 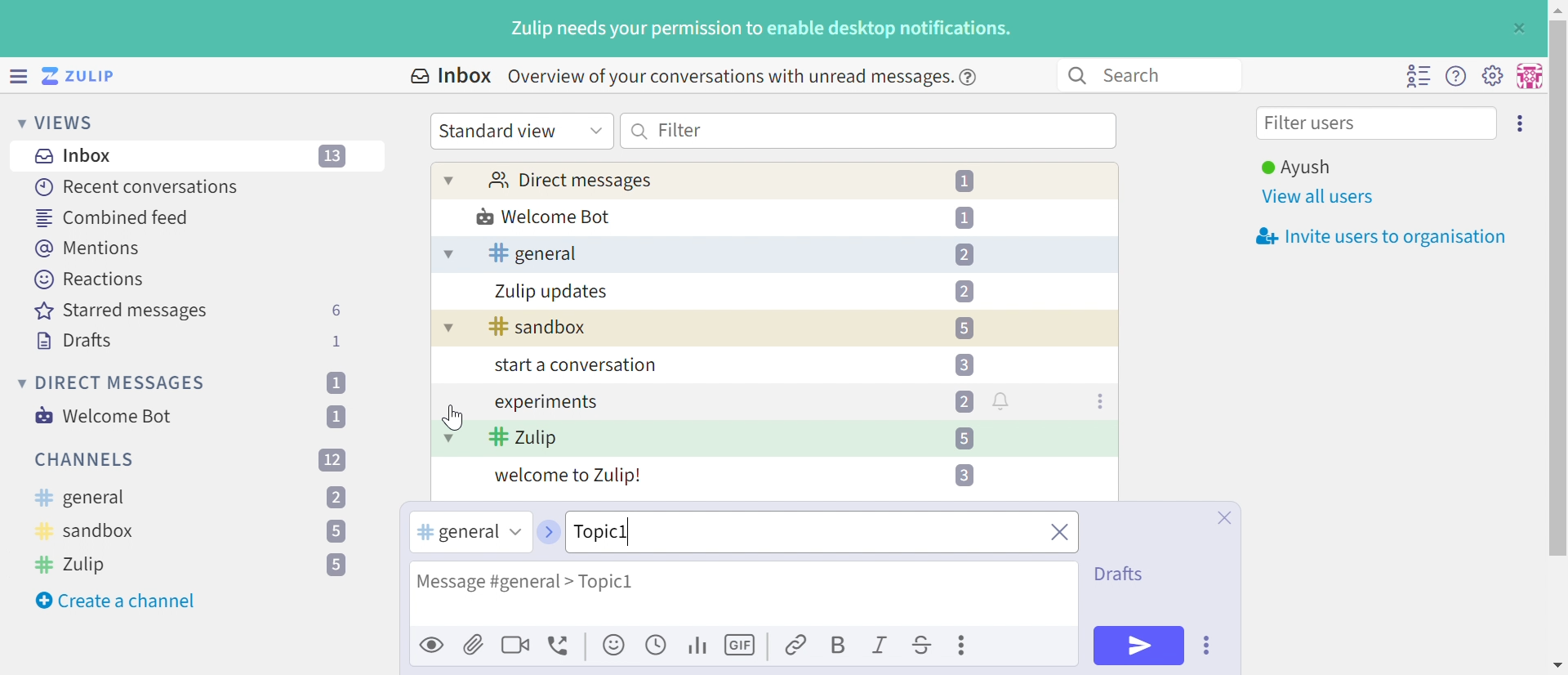 What do you see at coordinates (501, 131) in the screenshot?
I see `Standard view` at bounding box center [501, 131].